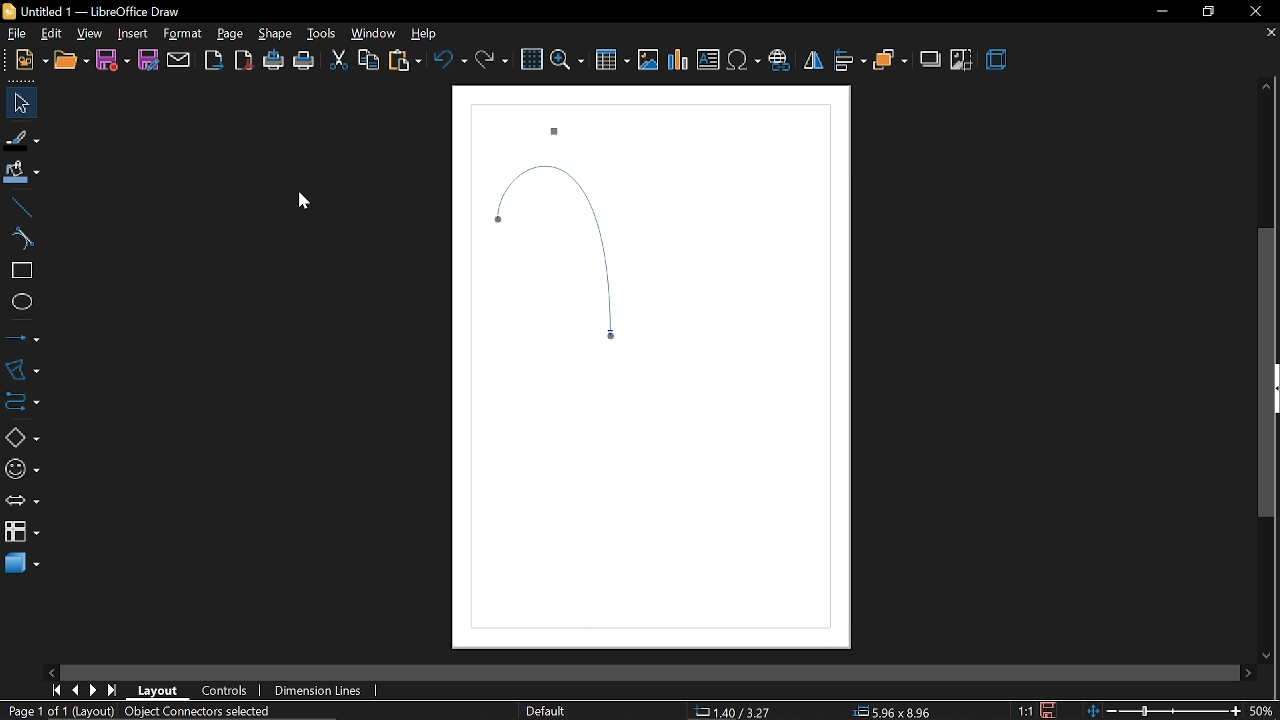  Describe the element at coordinates (1166, 712) in the screenshot. I see `zoom change` at that location.